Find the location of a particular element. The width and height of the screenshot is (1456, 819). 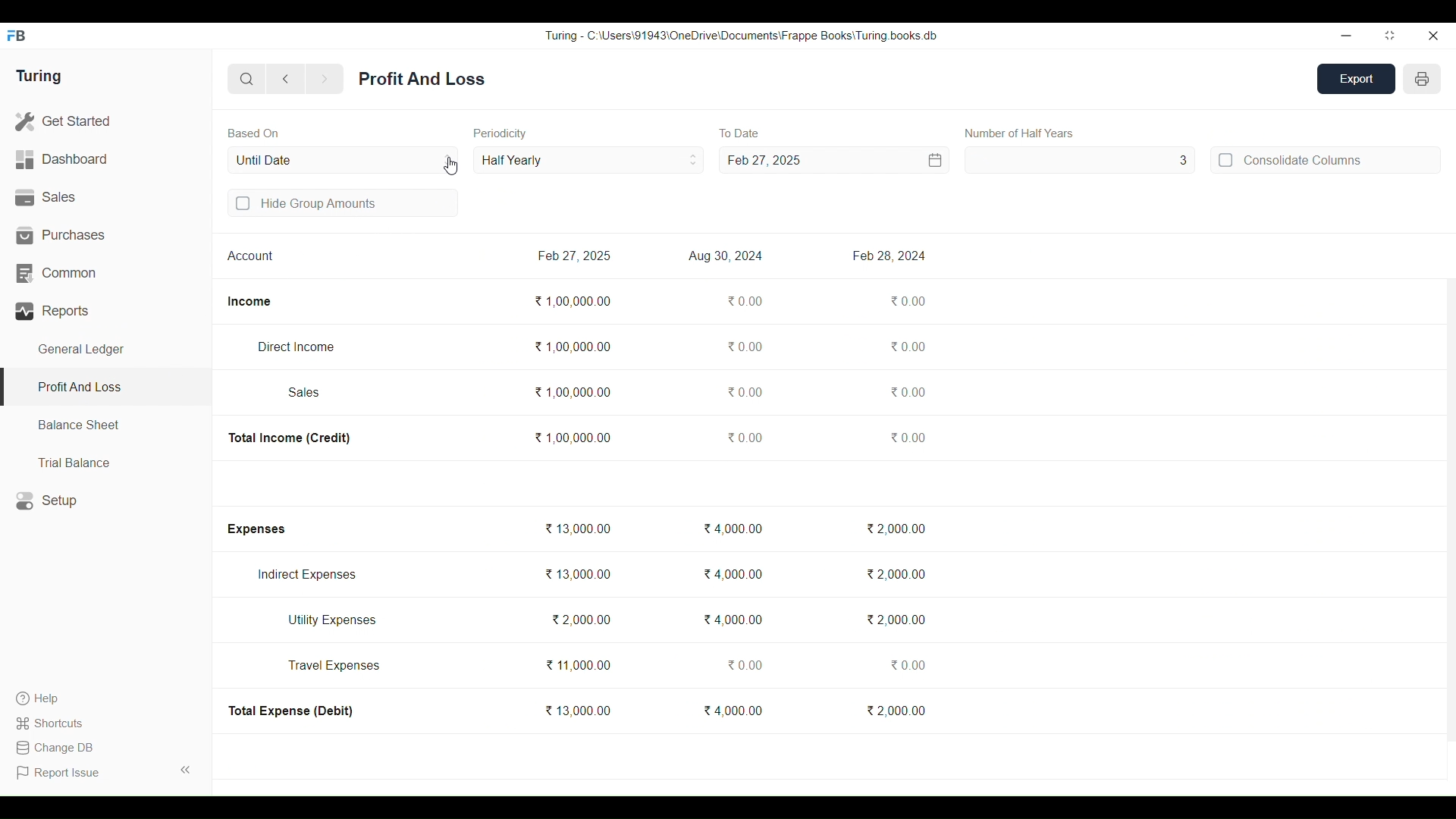

Periodicity is located at coordinates (500, 133).